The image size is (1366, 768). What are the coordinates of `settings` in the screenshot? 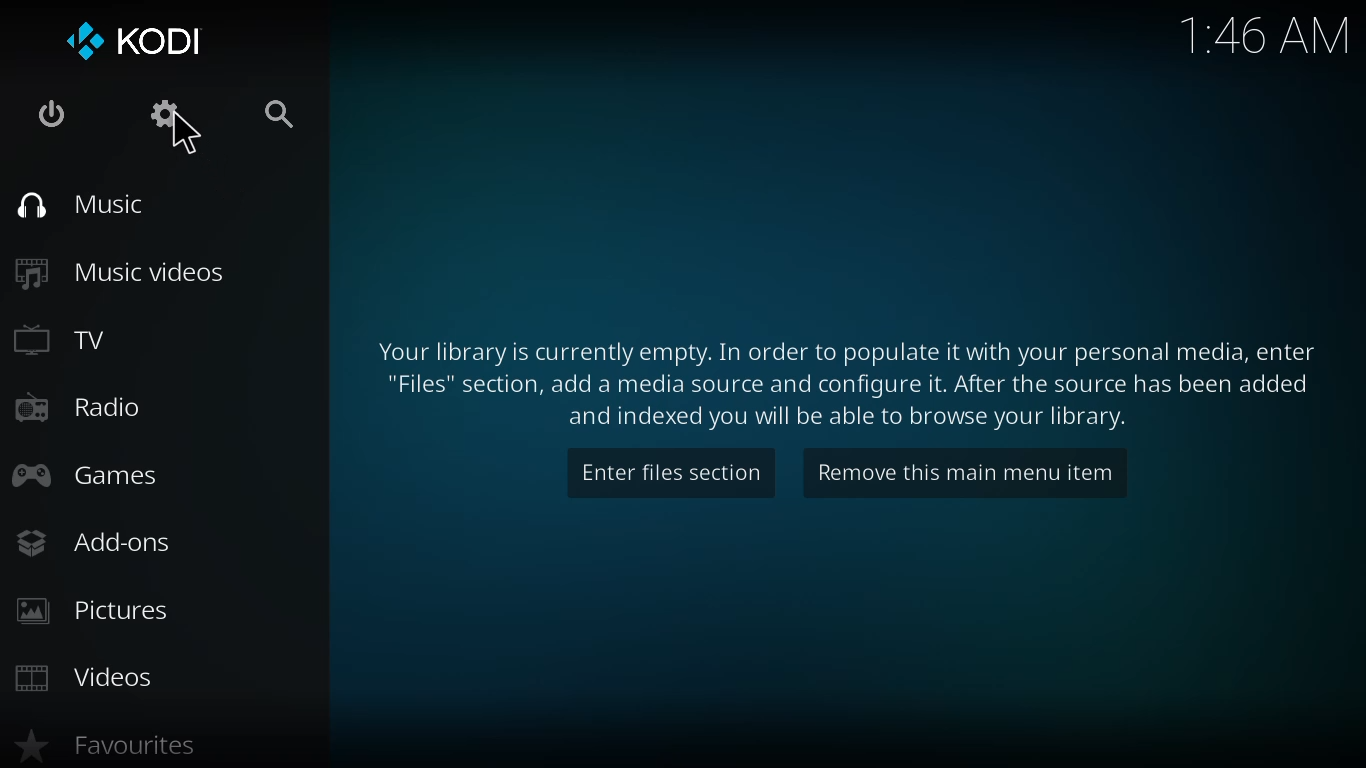 It's located at (156, 114).